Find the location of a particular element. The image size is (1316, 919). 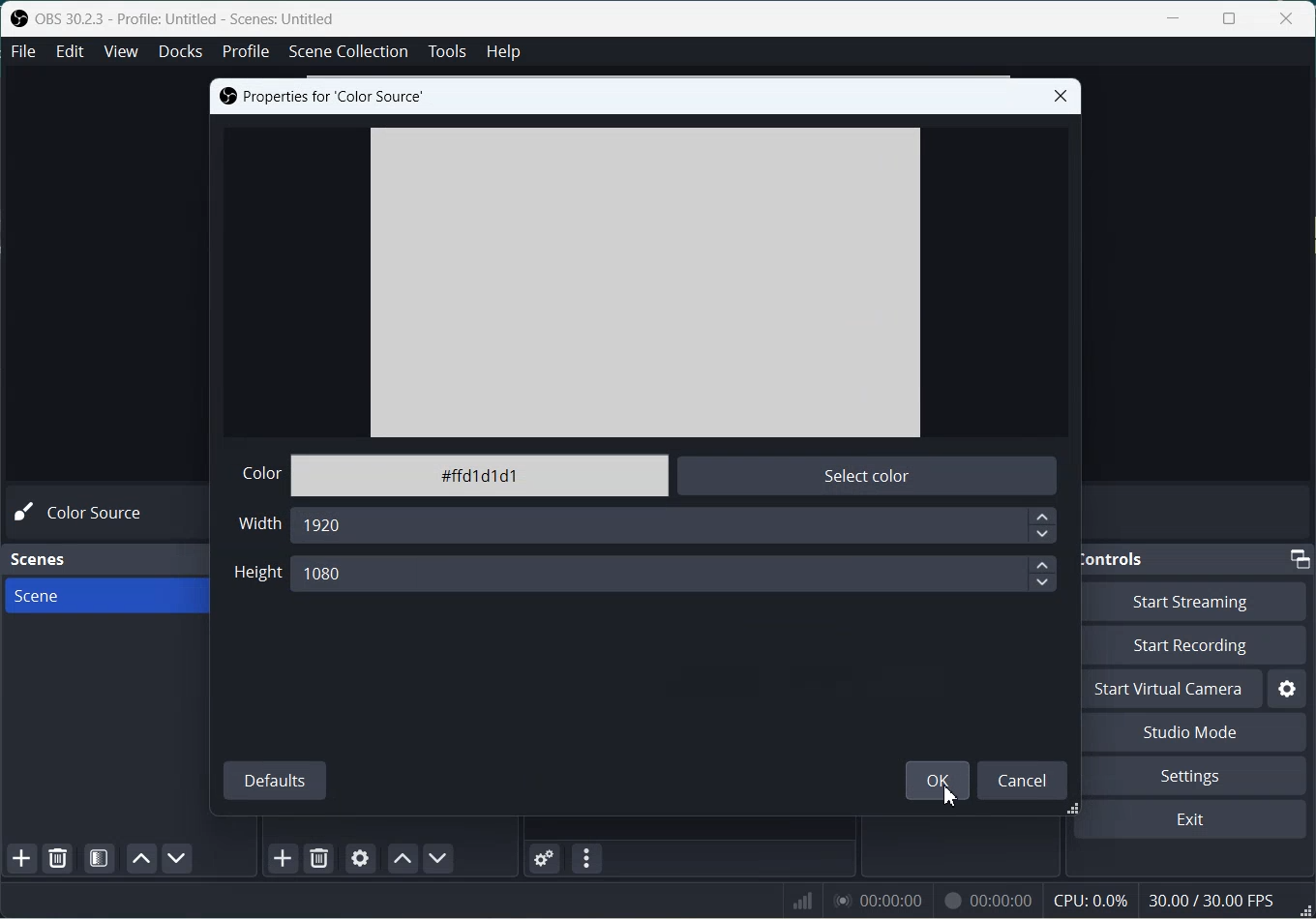

Help is located at coordinates (503, 52).